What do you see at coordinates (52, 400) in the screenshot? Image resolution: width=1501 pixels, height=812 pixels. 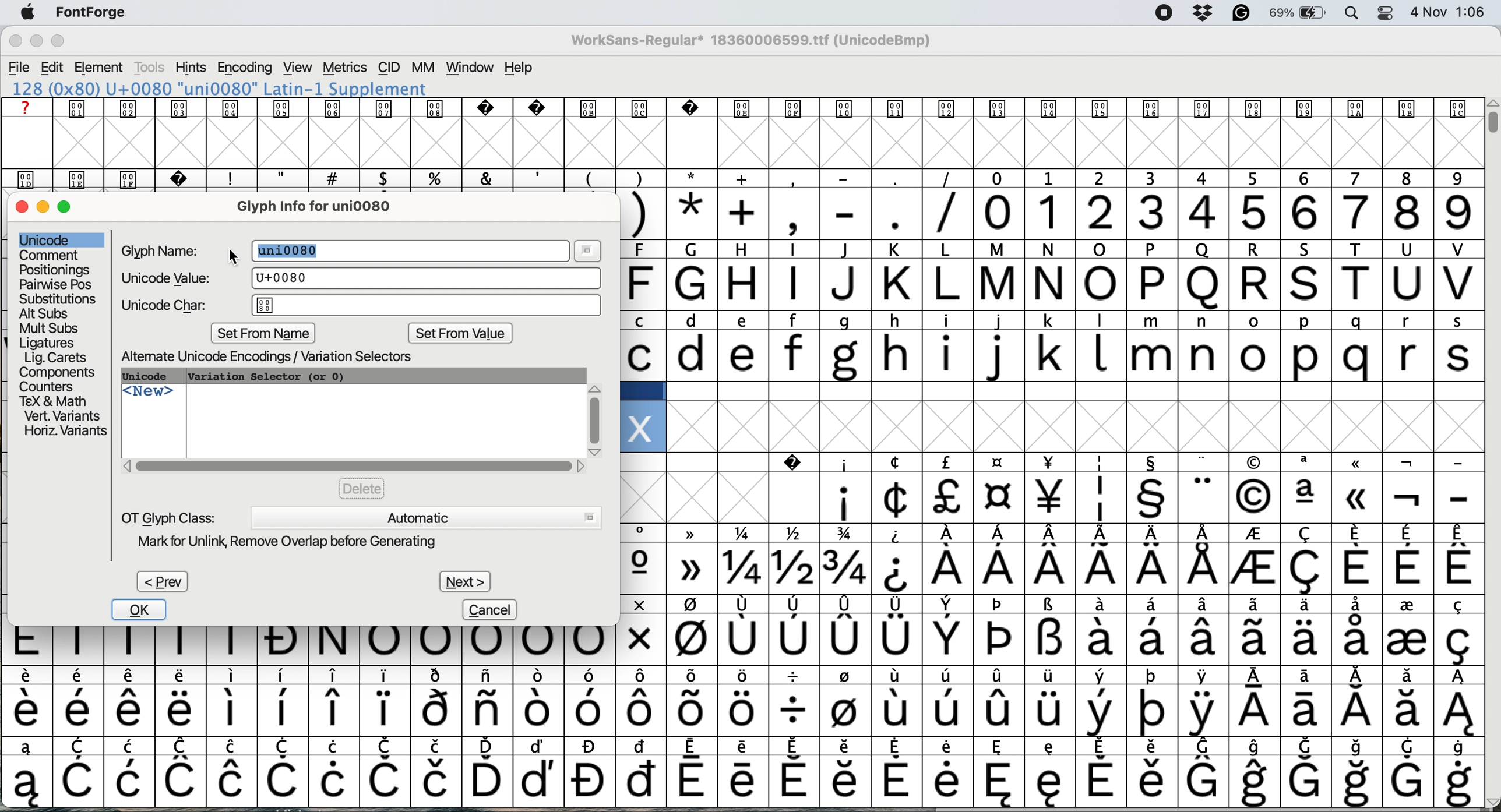 I see `tex and math` at bounding box center [52, 400].